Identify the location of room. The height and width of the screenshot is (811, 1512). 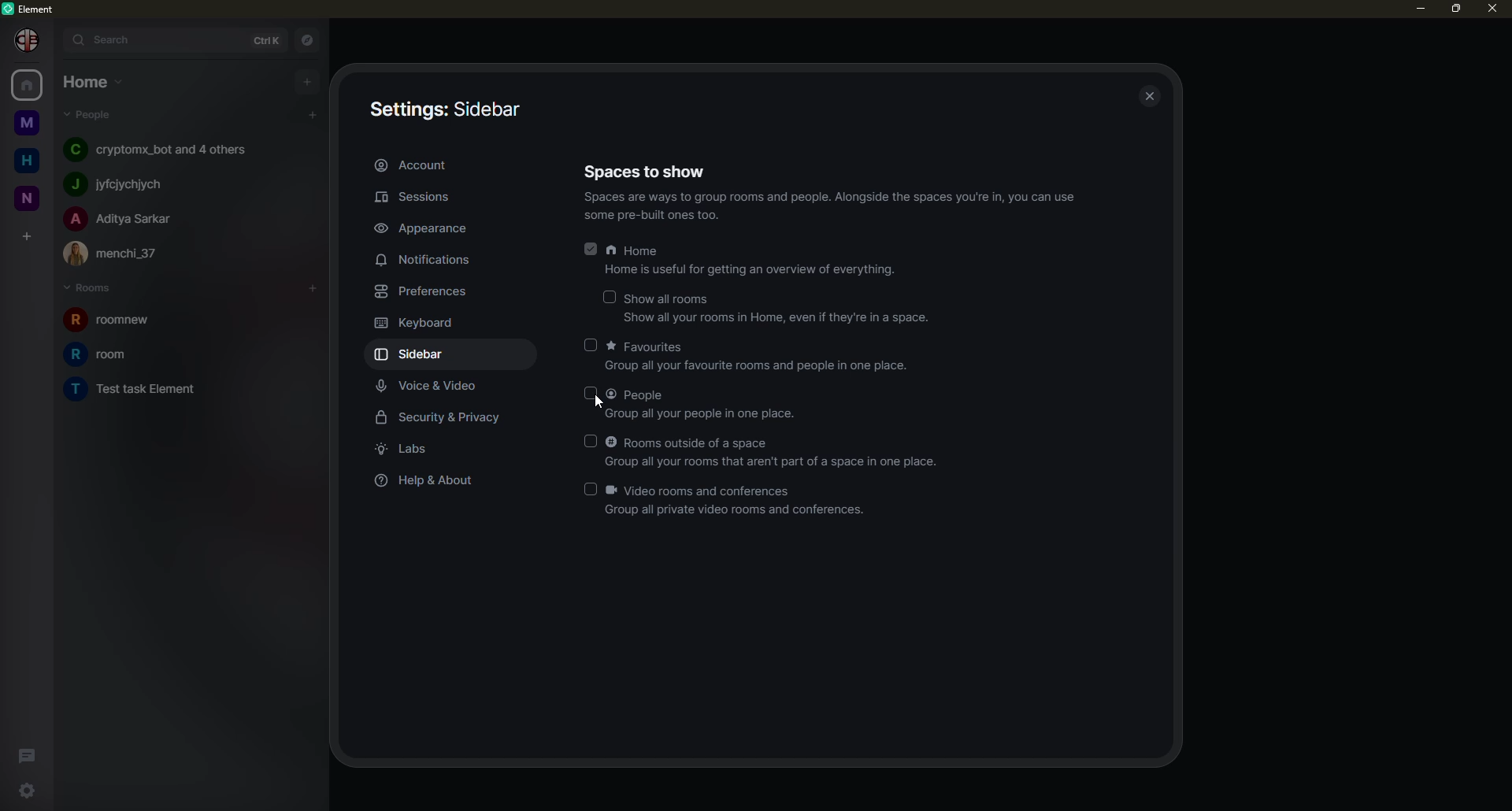
(100, 354).